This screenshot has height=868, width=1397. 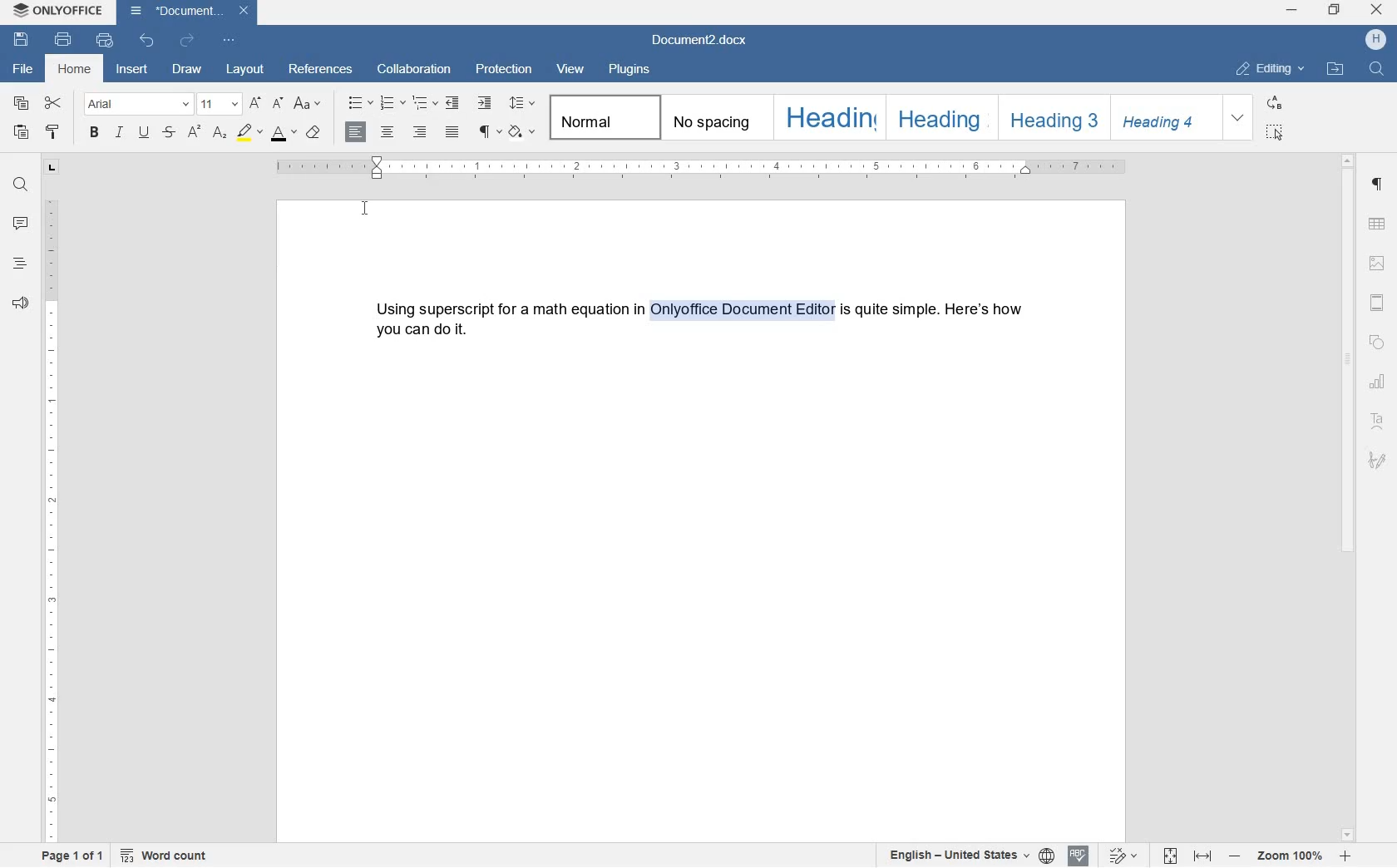 I want to click on feedback & support, so click(x=21, y=303).